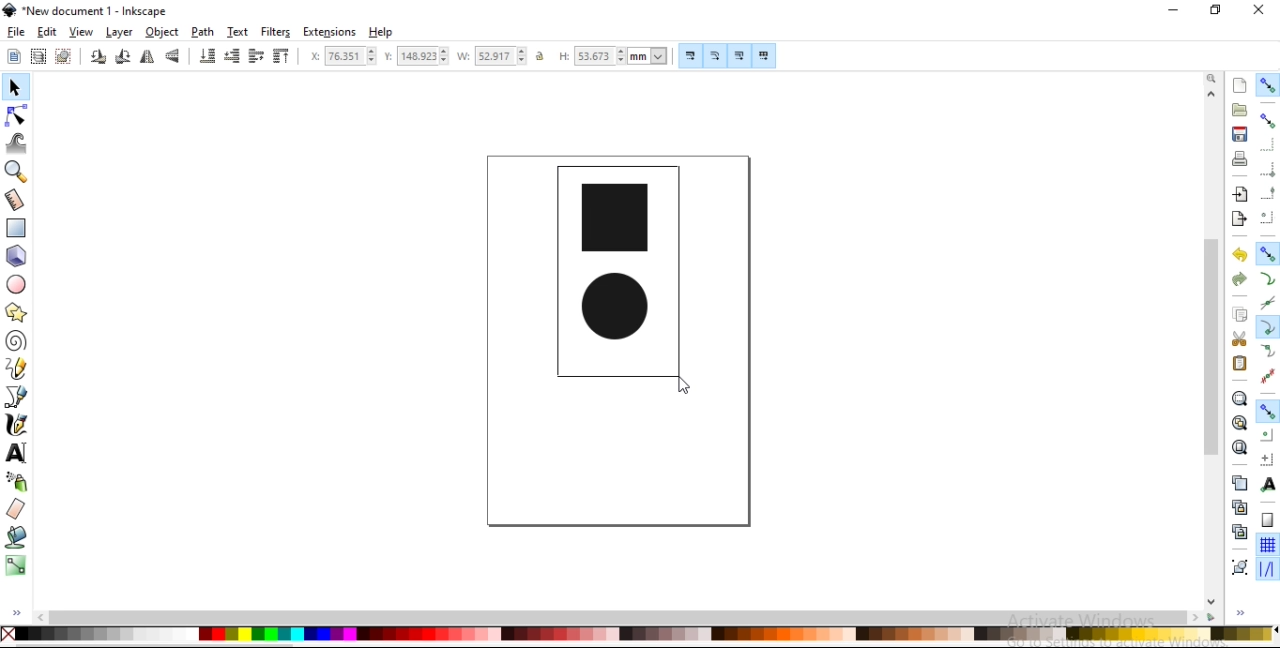 Image resolution: width=1280 pixels, height=648 pixels. What do you see at coordinates (1268, 146) in the screenshot?
I see `snap to edges of bounding box` at bounding box center [1268, 146].